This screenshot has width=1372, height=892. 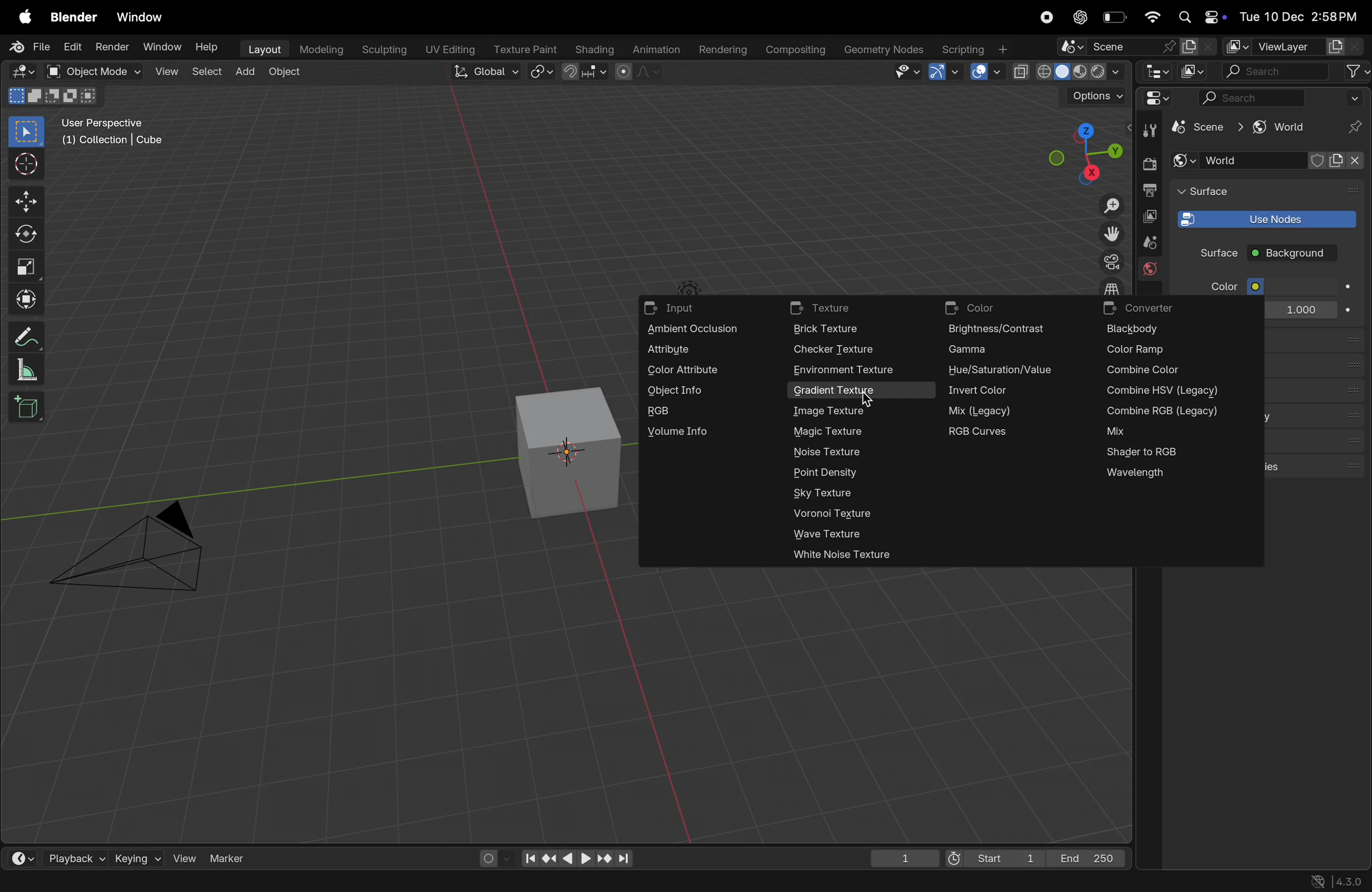 What do you see at coordinates (1320, 161) in the screenshot?
I see `shield` at bounding box center [1320, 161].